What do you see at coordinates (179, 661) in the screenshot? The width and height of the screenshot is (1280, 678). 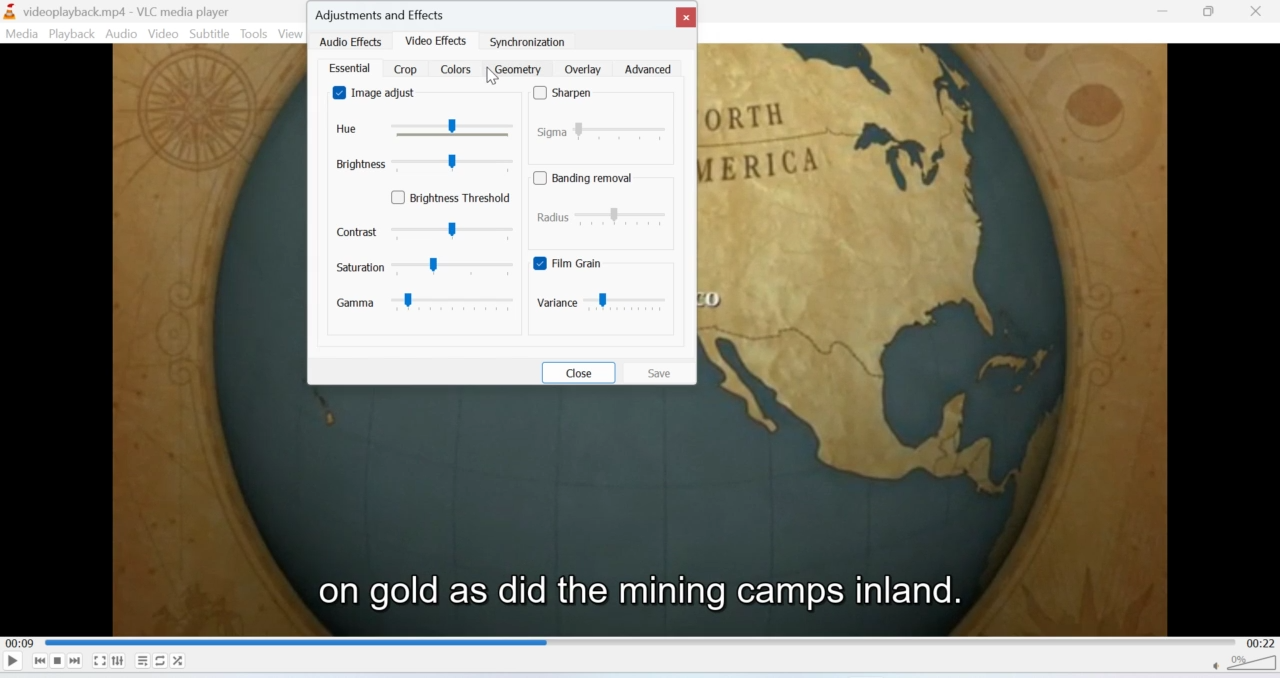 I see `Shuffle` at bounding box center [179, 661].